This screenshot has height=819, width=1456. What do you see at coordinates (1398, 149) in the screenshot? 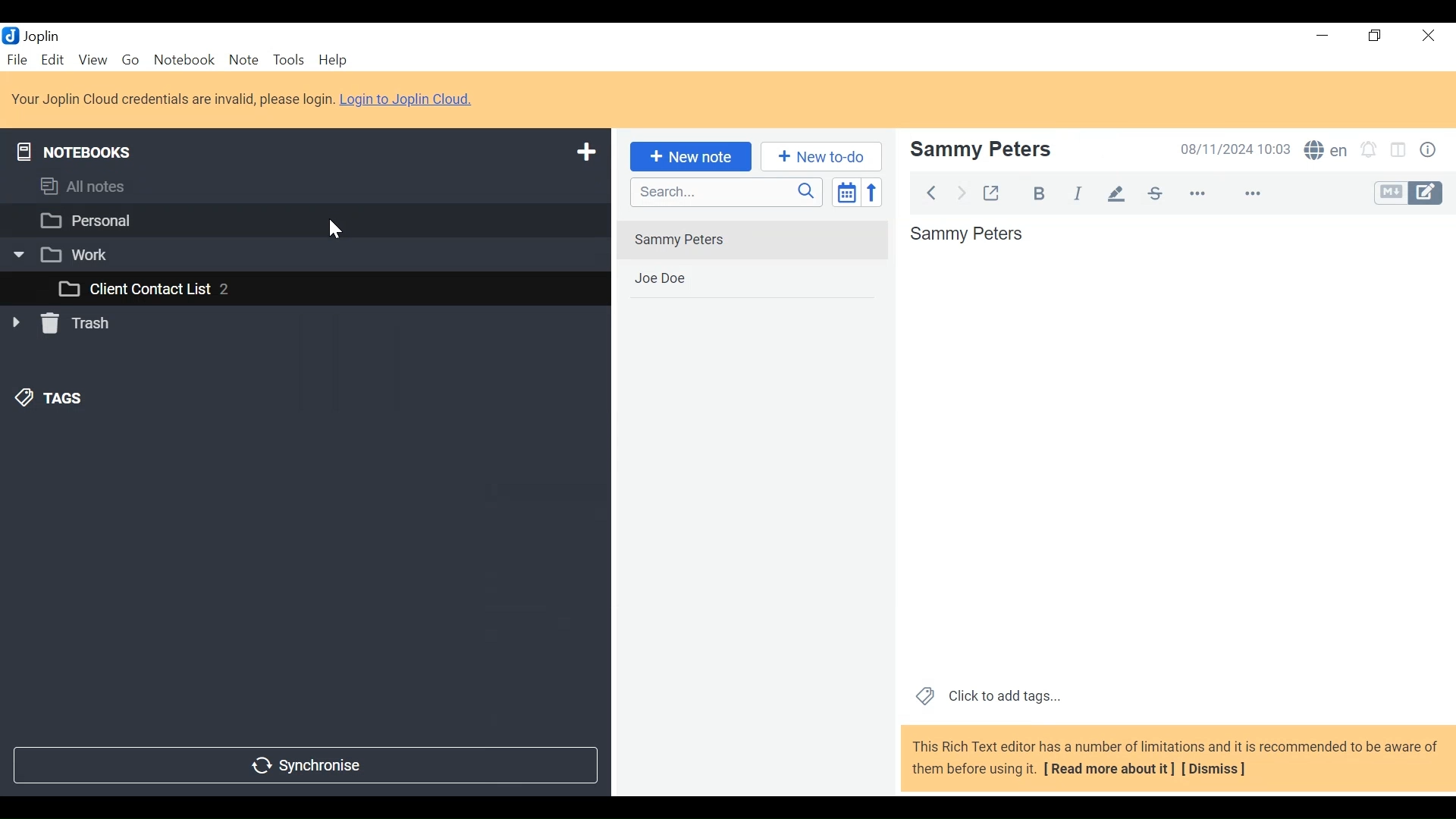
I see `Toggle editor layout` at bounding box center [1398, 149].